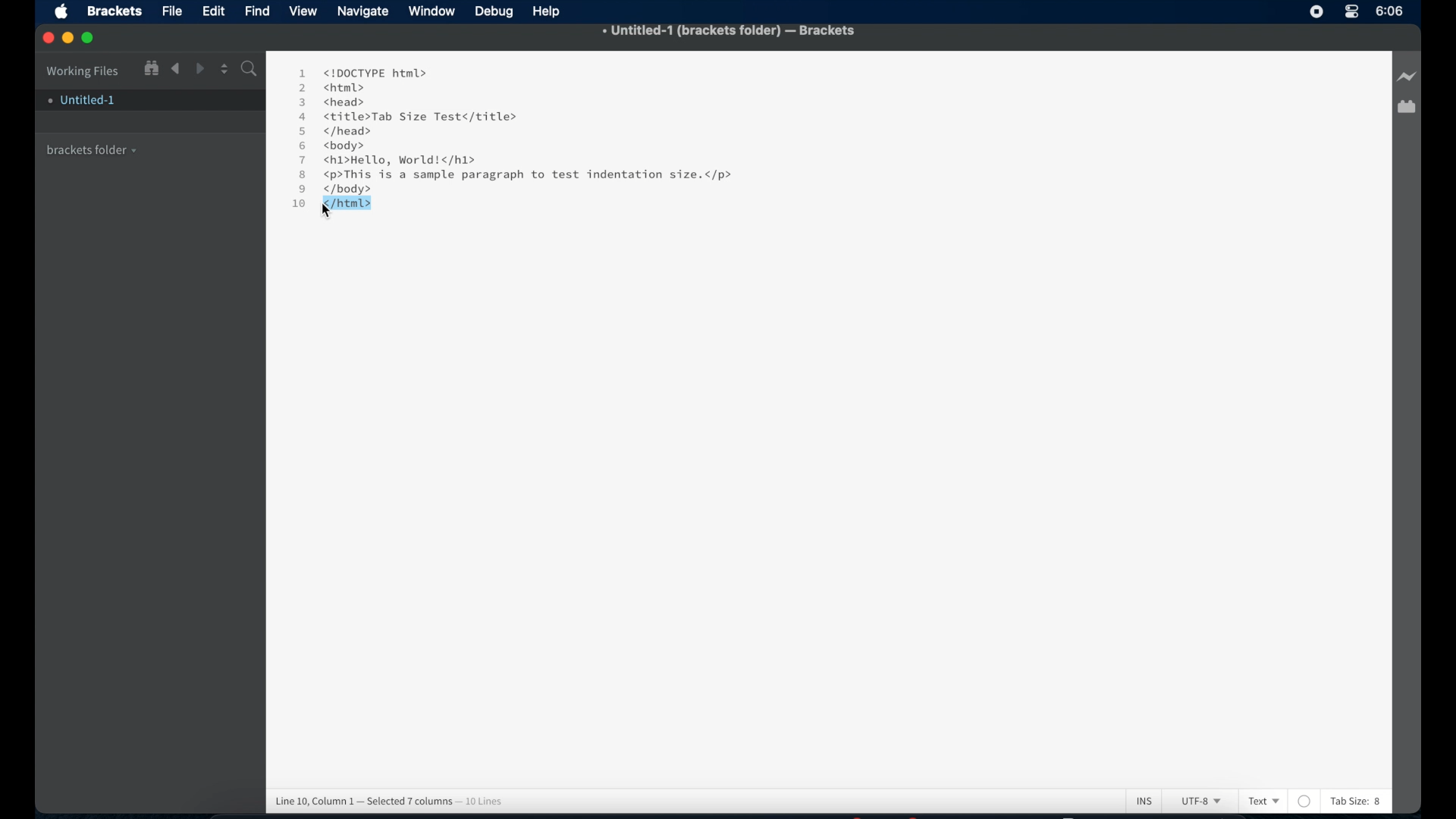 The height and width of the screenshot is (819, 1456). I want to click on Maximize, so click(93, 38).